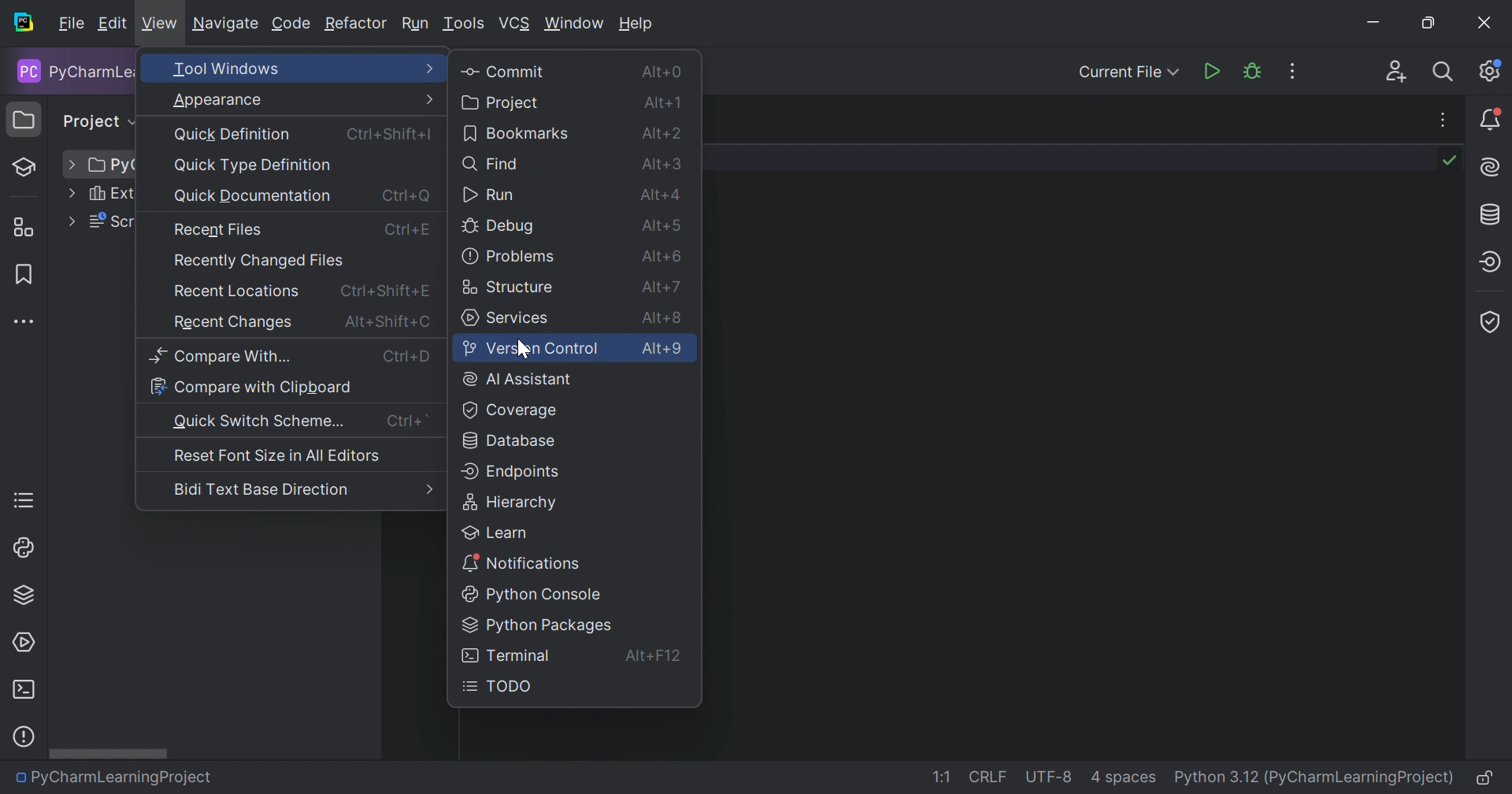 This screenshot has height=794, width=1512. Describe the element at coordinates (251, 197) in the screenshot. I see `Quick Documentation` at that location.